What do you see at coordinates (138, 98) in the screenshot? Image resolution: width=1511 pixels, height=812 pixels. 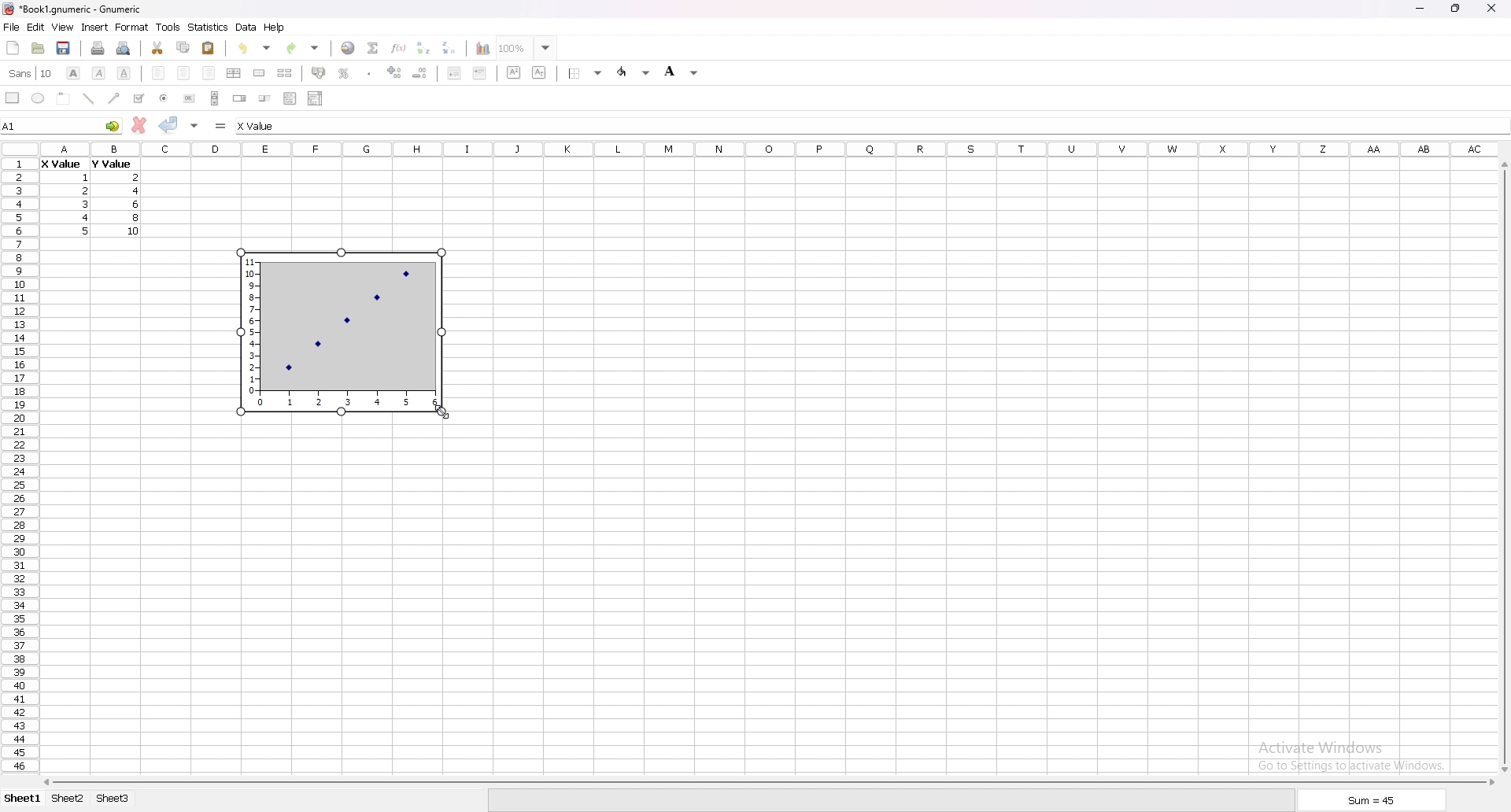 I see `tickbox` at bounding box center [138, 98].